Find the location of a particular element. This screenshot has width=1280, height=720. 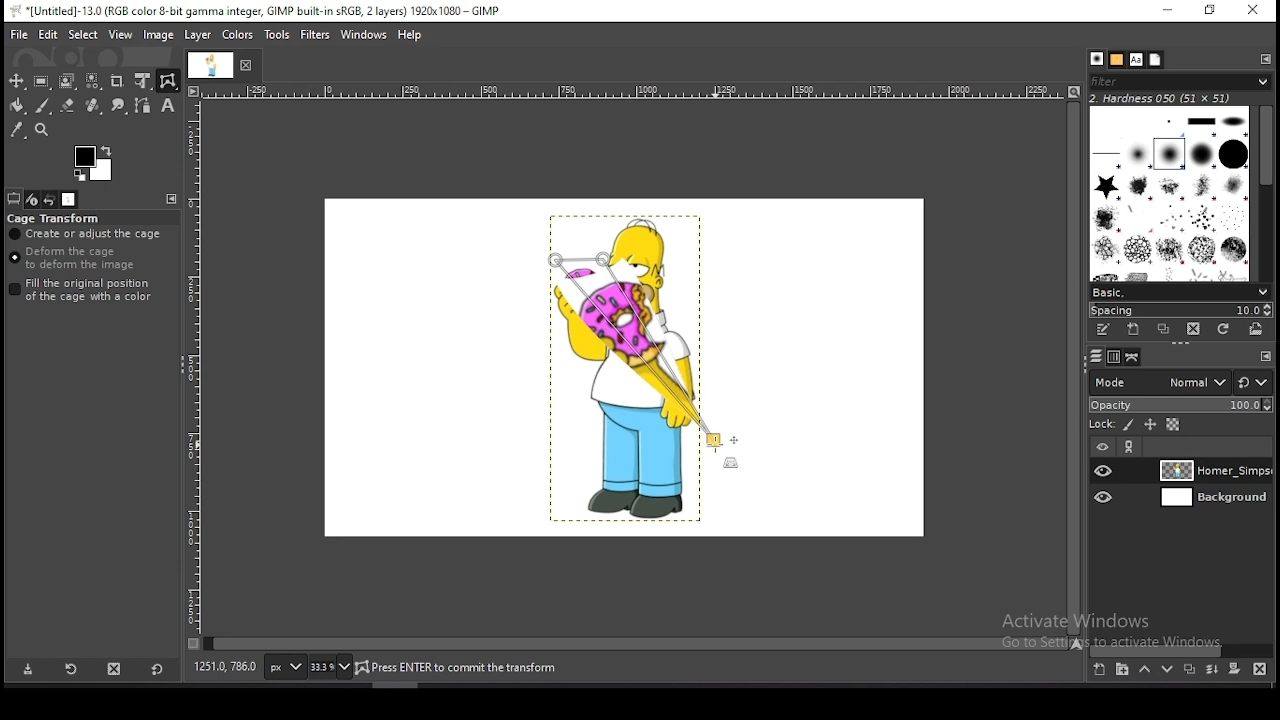

image is located at coordinates (160, 37).